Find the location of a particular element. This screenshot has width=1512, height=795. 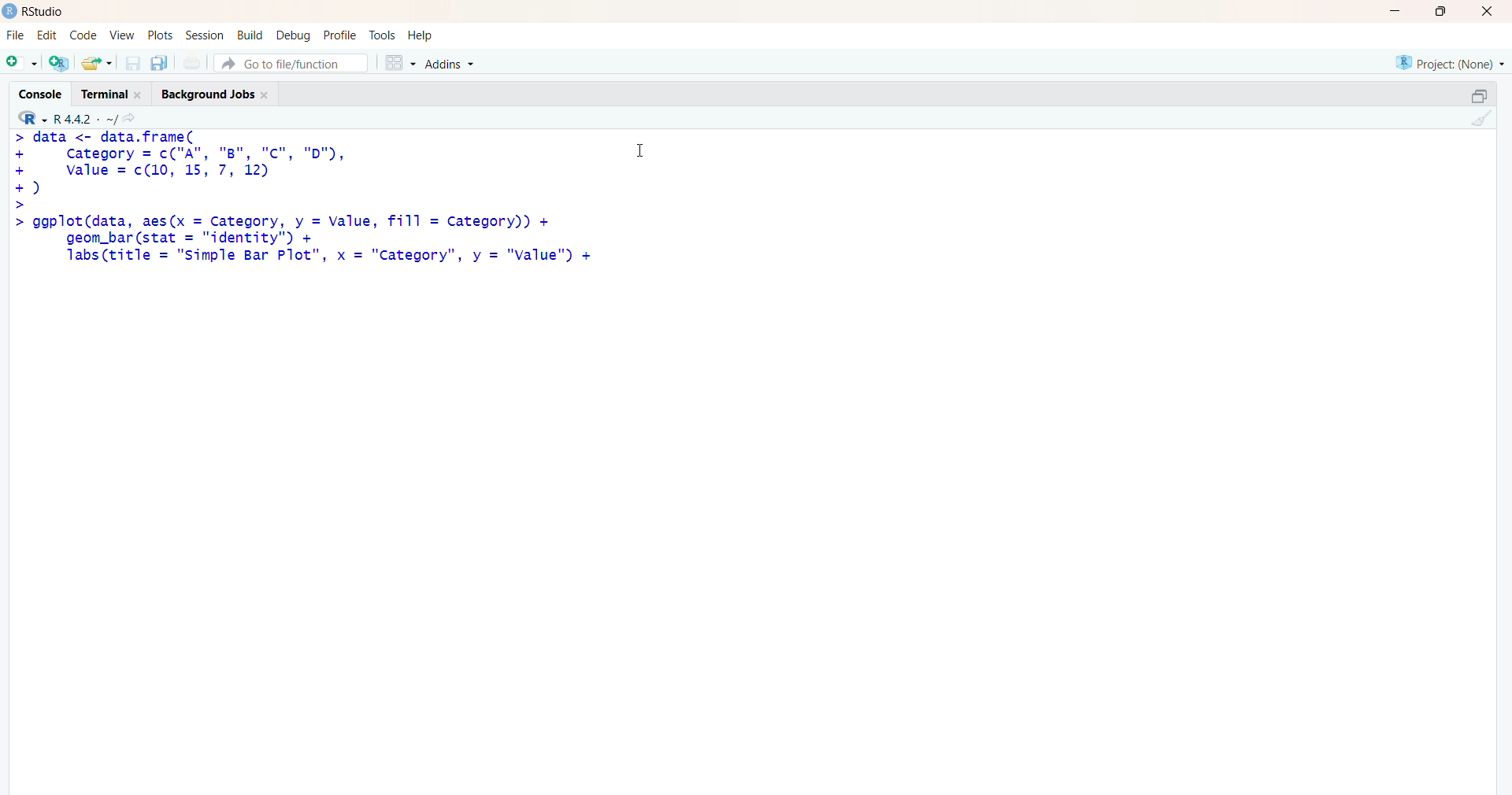

debug is located at coordinates (294, 35).